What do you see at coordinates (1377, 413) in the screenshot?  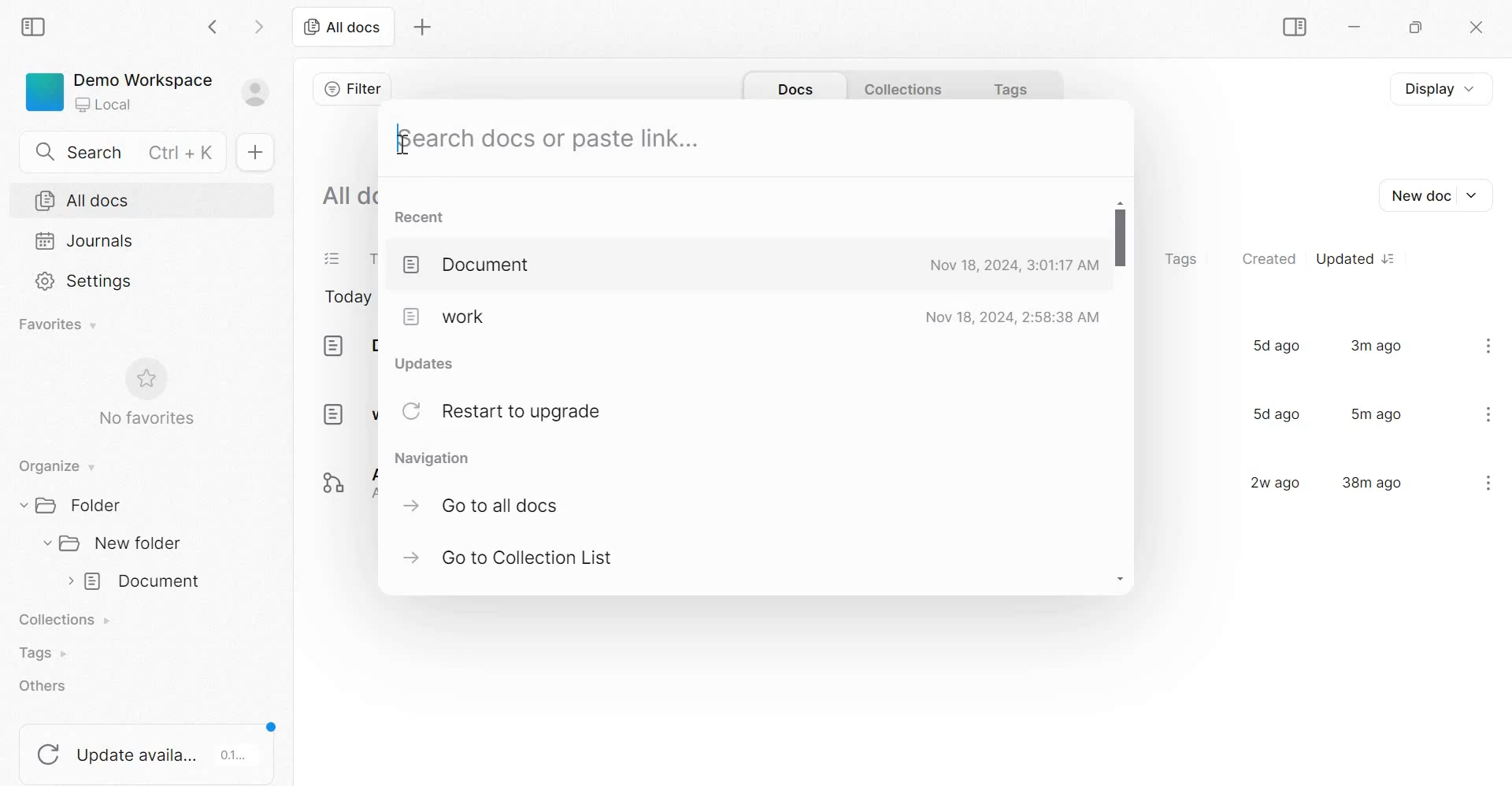 I see `5m ago` at bounding box center [1377, 413].